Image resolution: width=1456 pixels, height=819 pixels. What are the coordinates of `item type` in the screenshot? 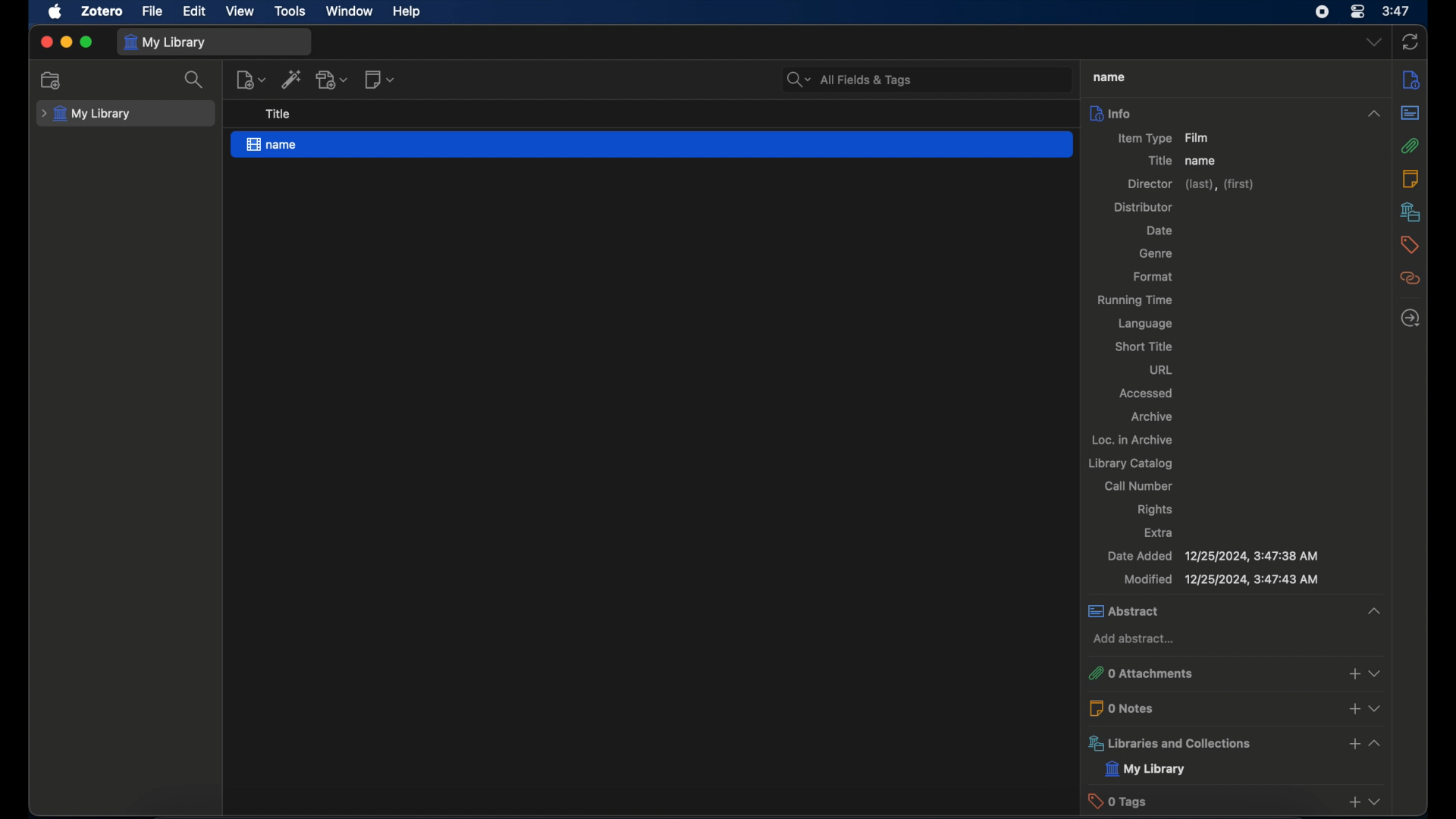 It's located at (1162, 137).